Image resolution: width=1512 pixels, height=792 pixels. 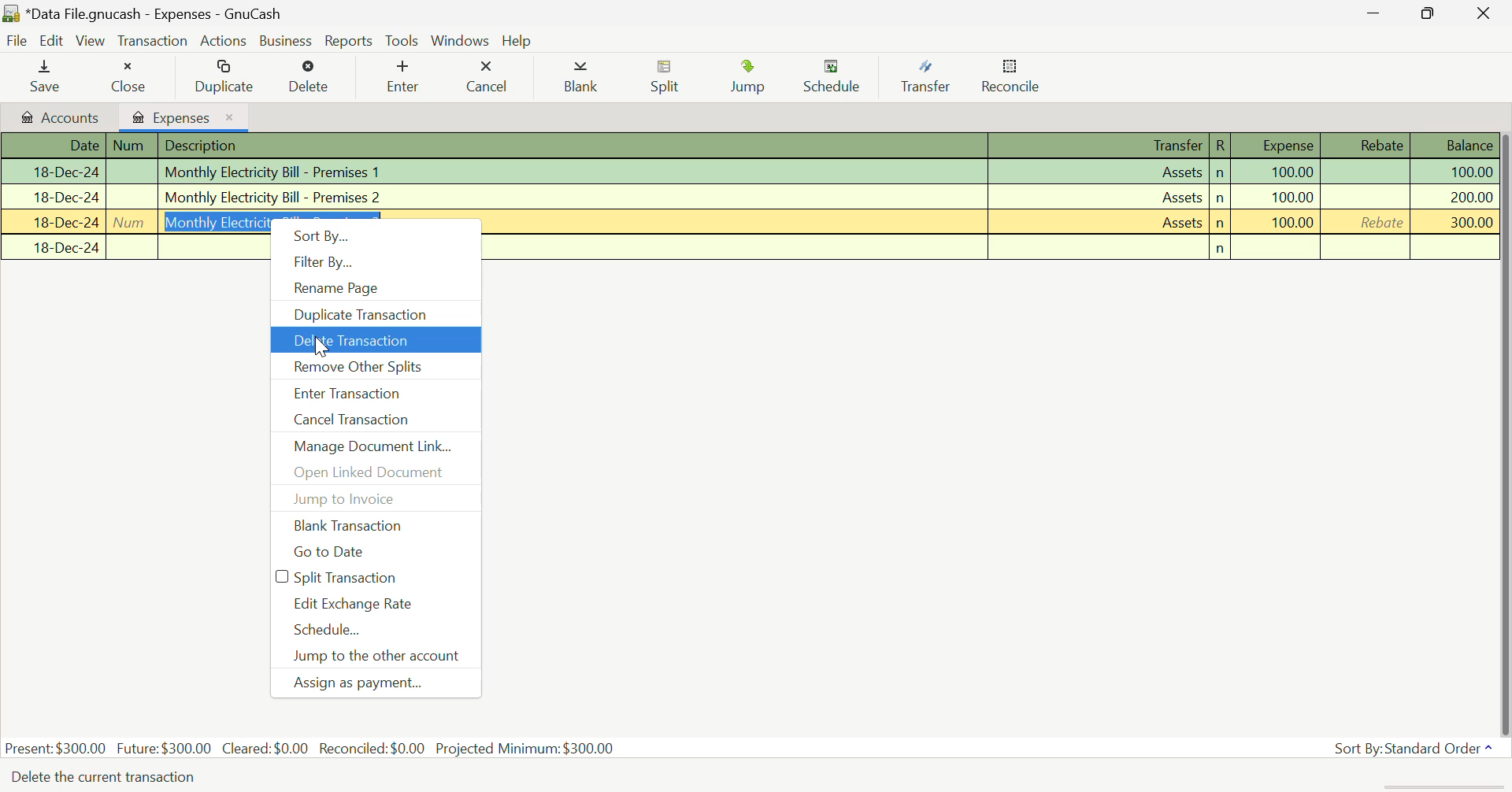 I want to click on Monthly Electricity Bill - Premises 3, so click(x=991, y=222).